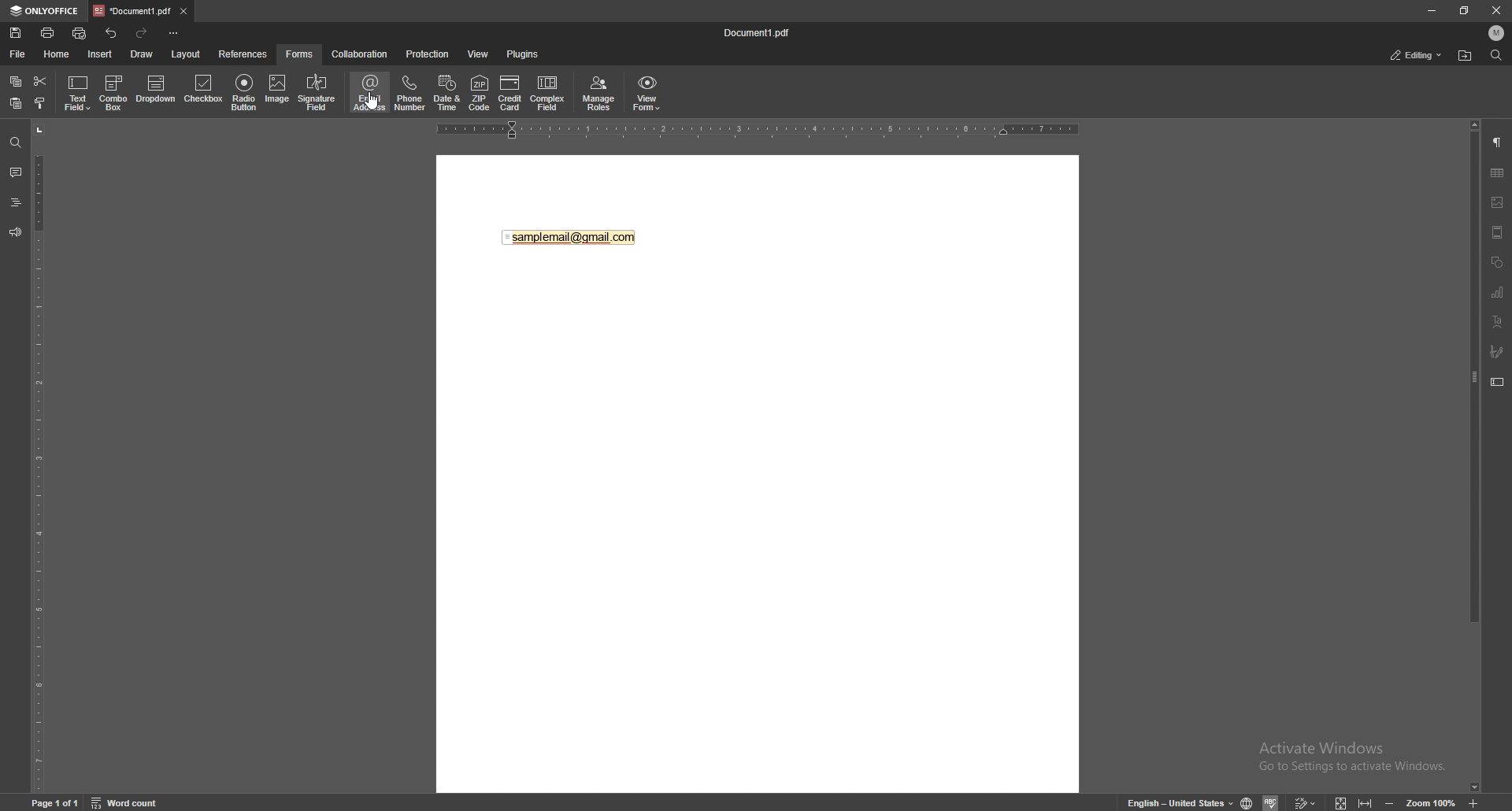  I want to click on combo box, so click(116, 93).